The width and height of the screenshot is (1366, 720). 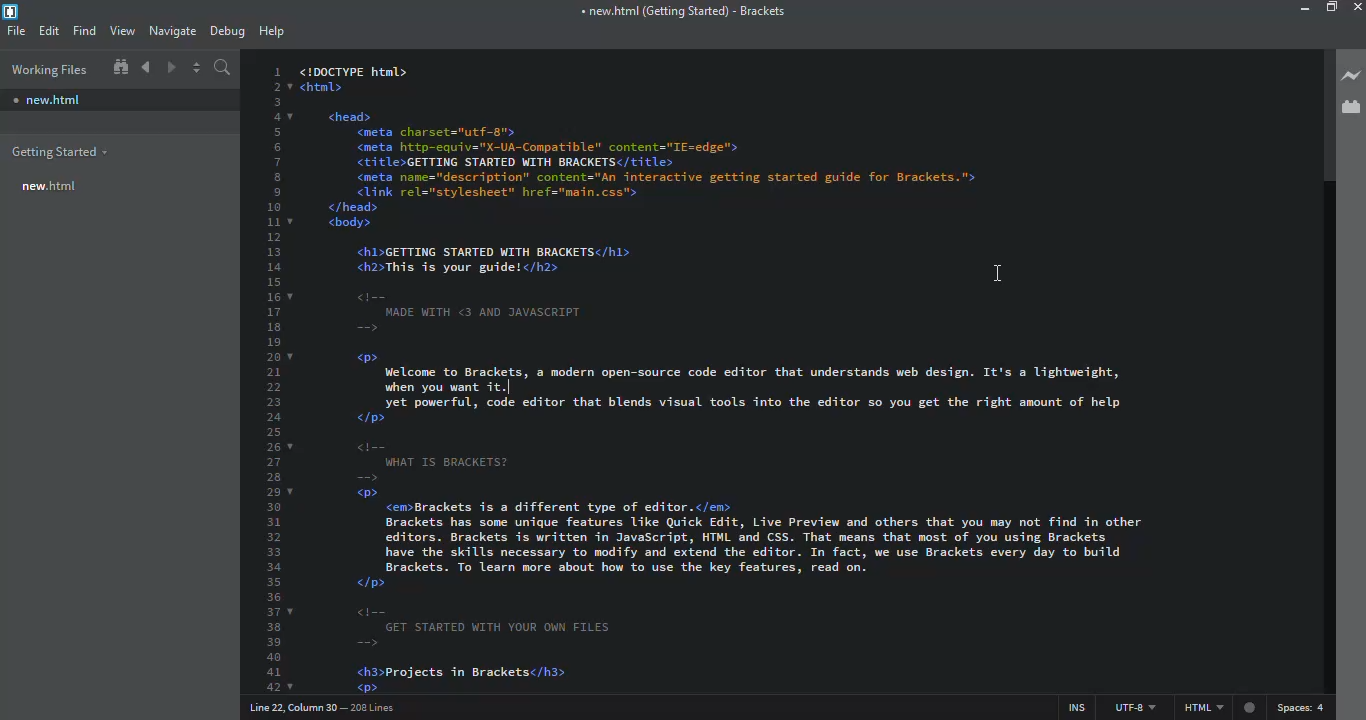 What do you see at coordinates (982, 267) in the screenshot?
I see `cursor` at bounding box center [982, 267].